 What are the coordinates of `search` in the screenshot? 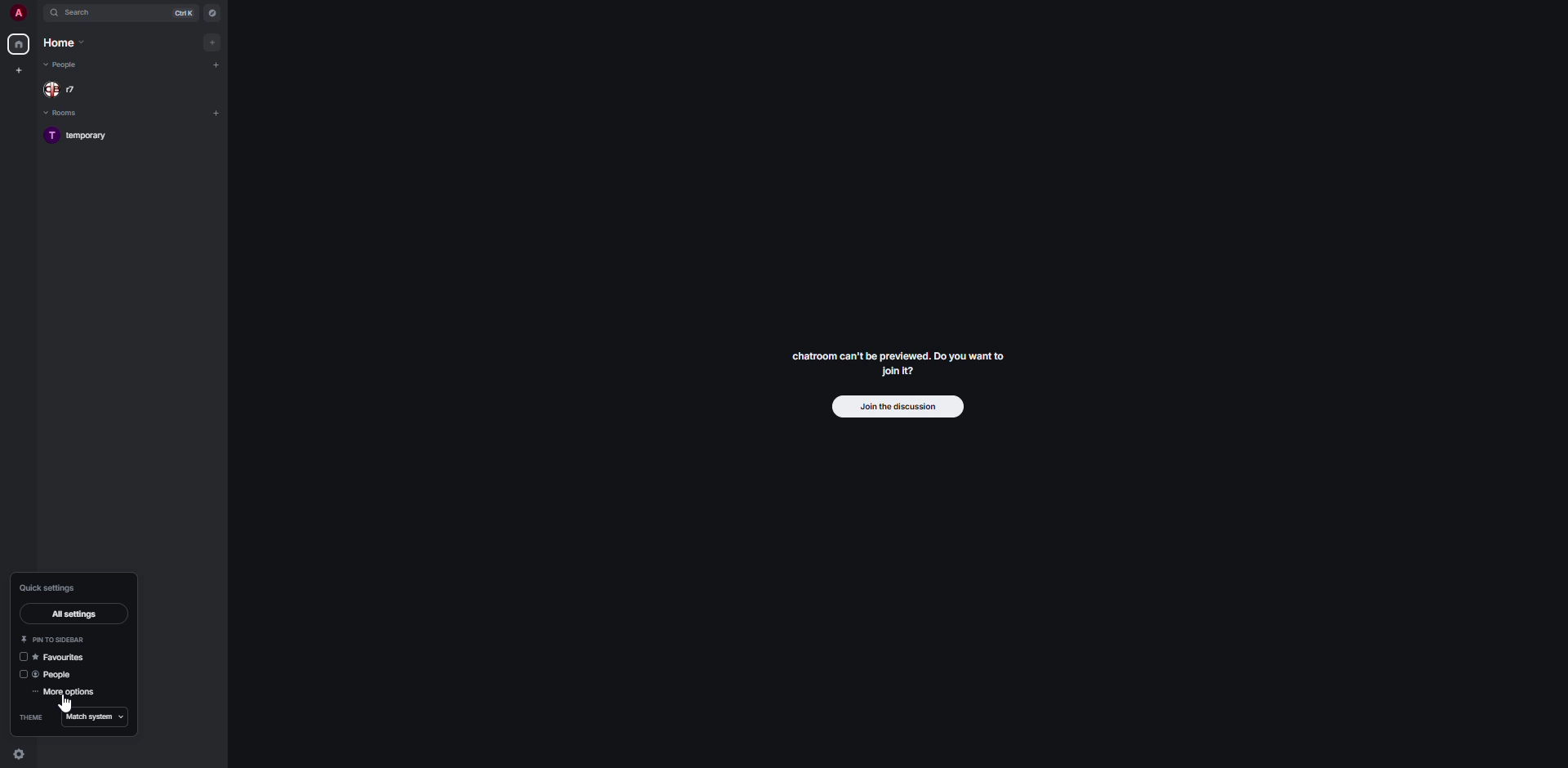 It's located at (82, 13).